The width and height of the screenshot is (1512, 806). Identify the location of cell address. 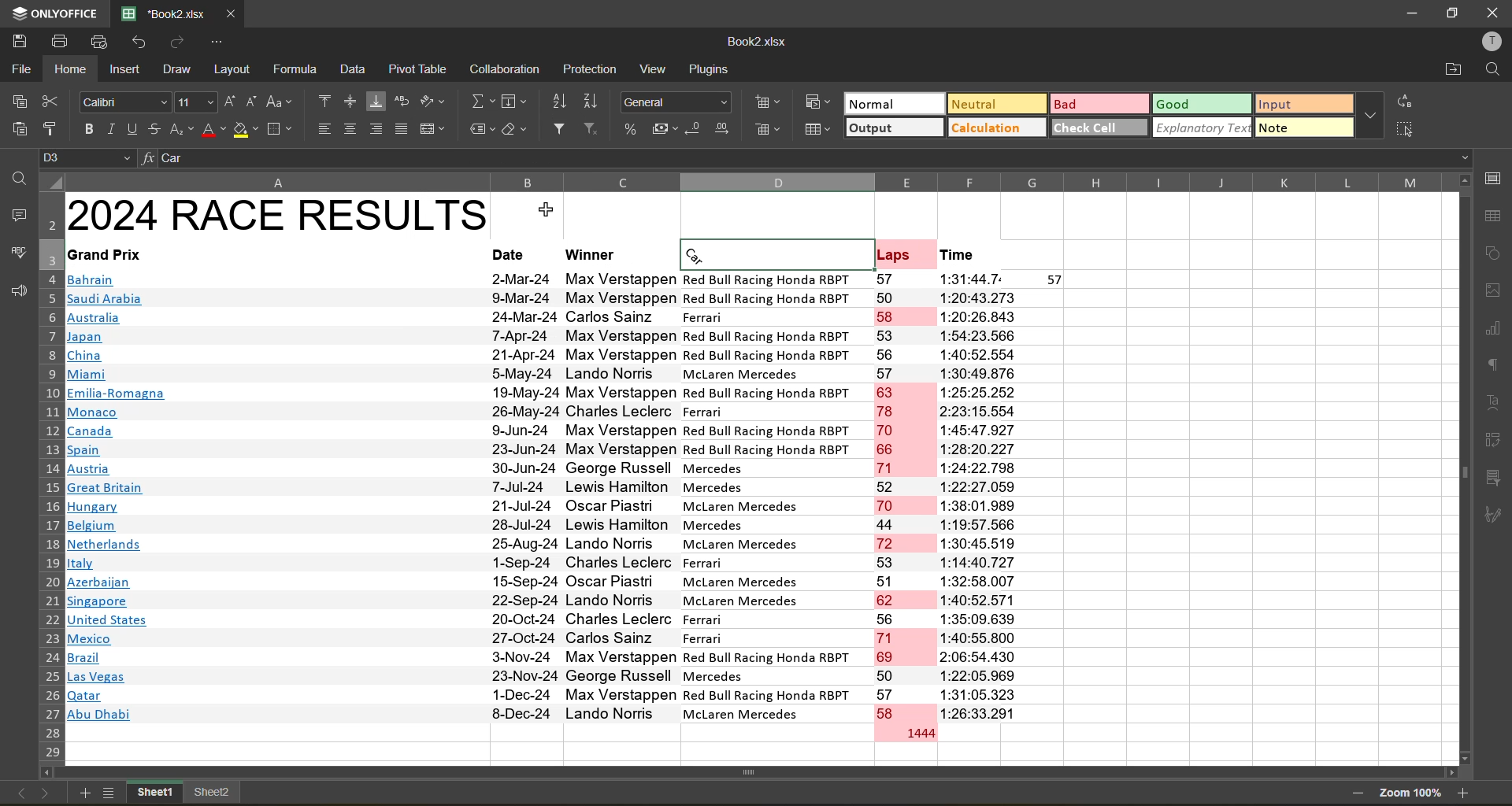
(88, 157).